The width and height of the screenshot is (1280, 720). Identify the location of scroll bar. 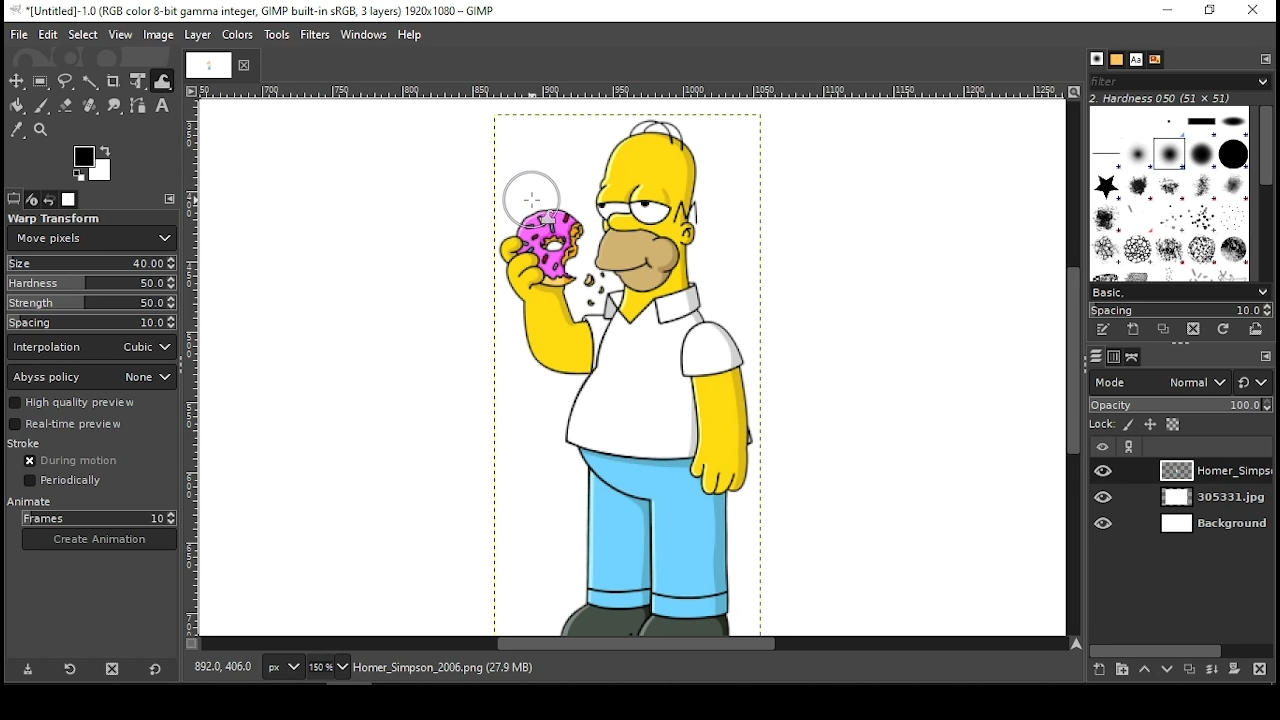
(1179, 651).